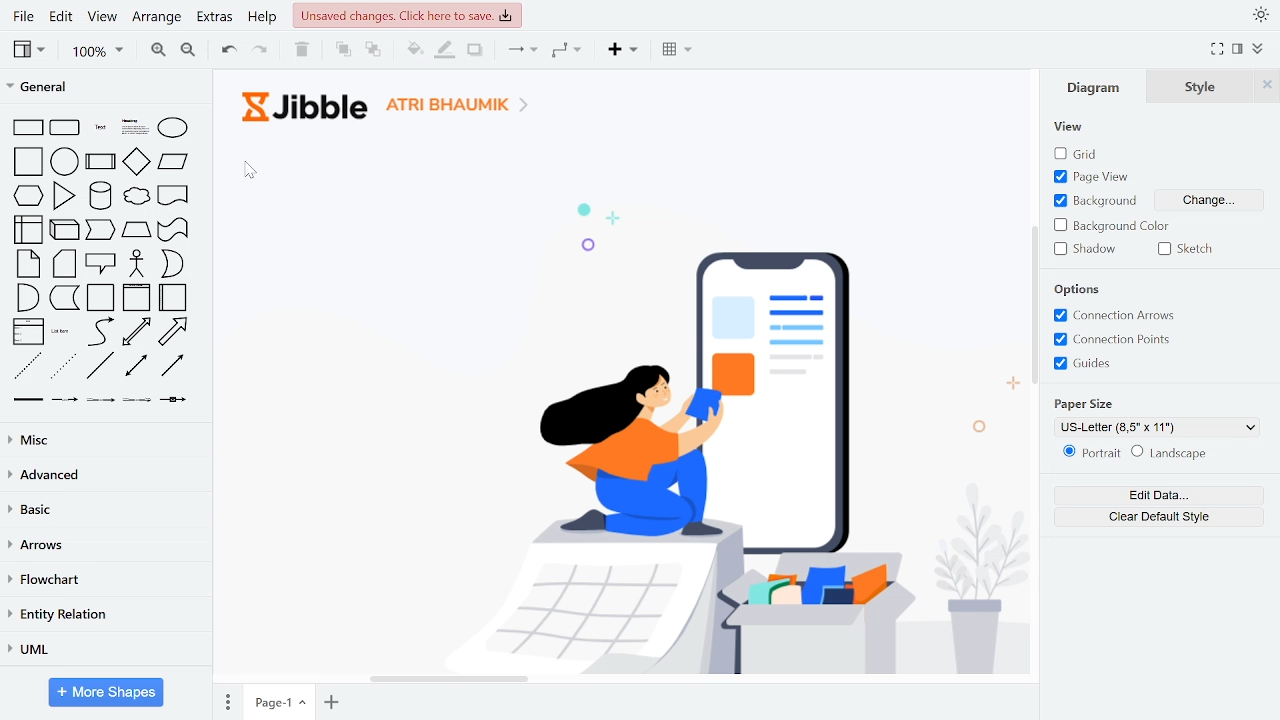 This screenshot has height=720, width=1280. Describe the element at coordinates (26, 160) in the screenshot. I see `general shapes` at that location.